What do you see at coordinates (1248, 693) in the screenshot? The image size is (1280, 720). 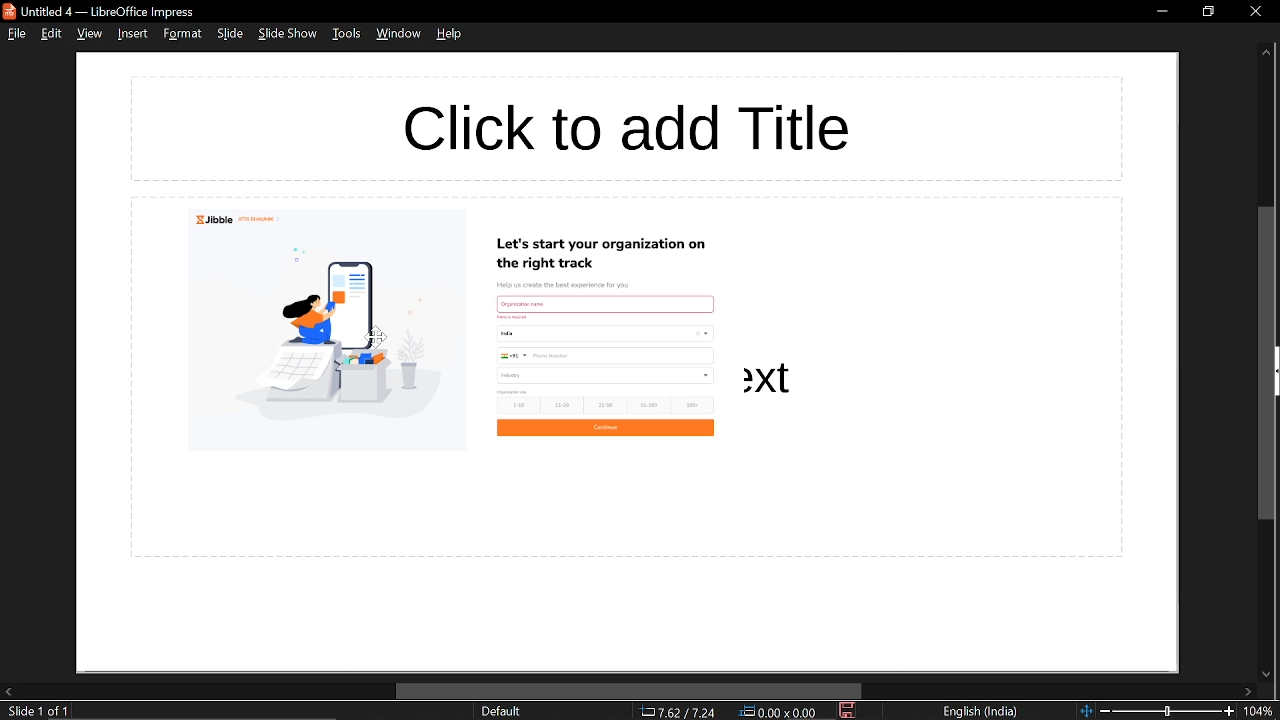 I see `move right` at bounding box center [1248, 693].